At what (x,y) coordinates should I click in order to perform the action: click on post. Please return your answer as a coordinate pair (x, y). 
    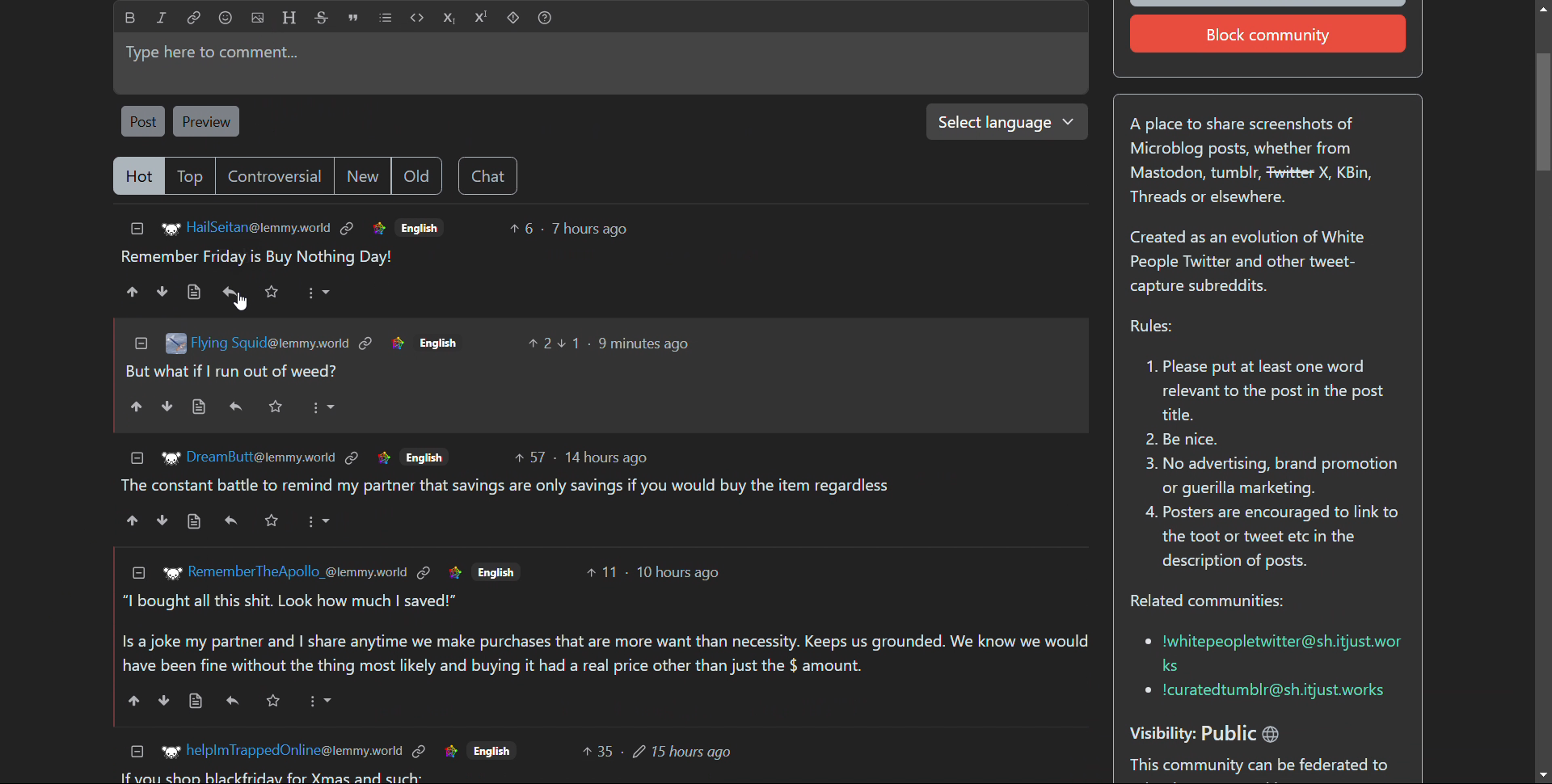
    Looking at the image, I should click on (142, 120).